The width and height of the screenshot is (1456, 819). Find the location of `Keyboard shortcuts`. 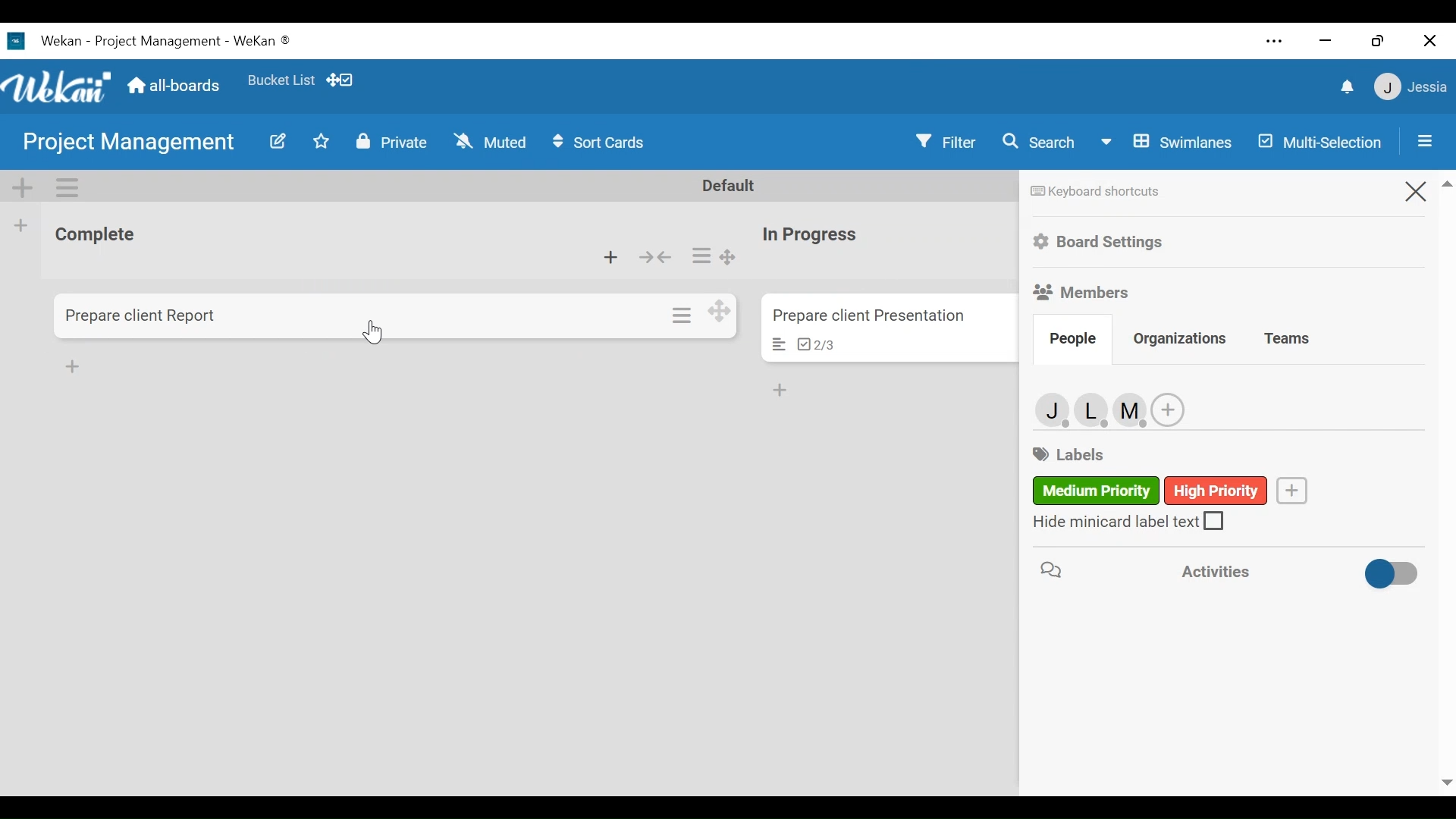

Keyboard shortcuts is located at coordinates (1100, 190).